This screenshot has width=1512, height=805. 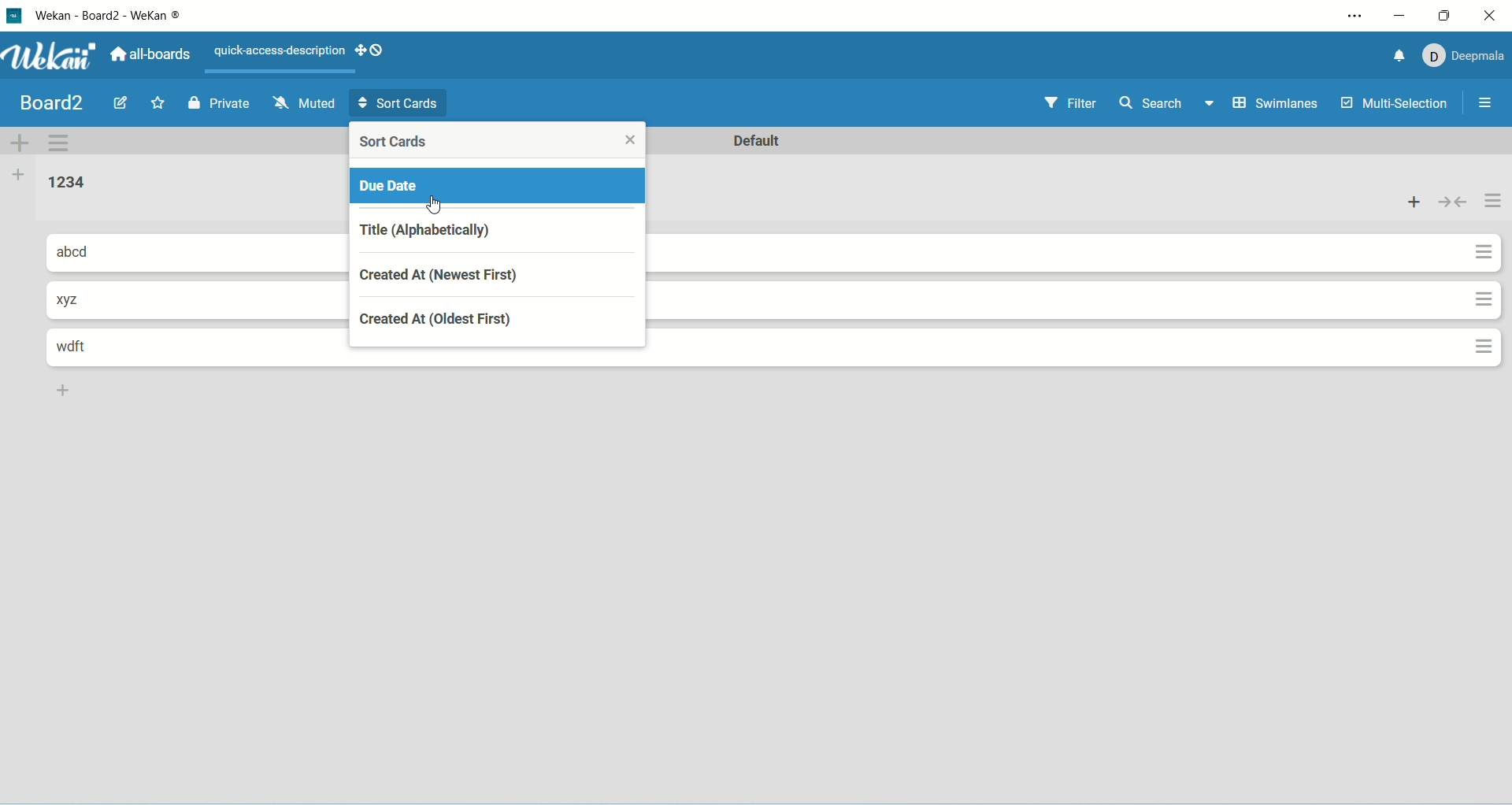 I want to click on swimlane actions, so click(x=60, y=145).